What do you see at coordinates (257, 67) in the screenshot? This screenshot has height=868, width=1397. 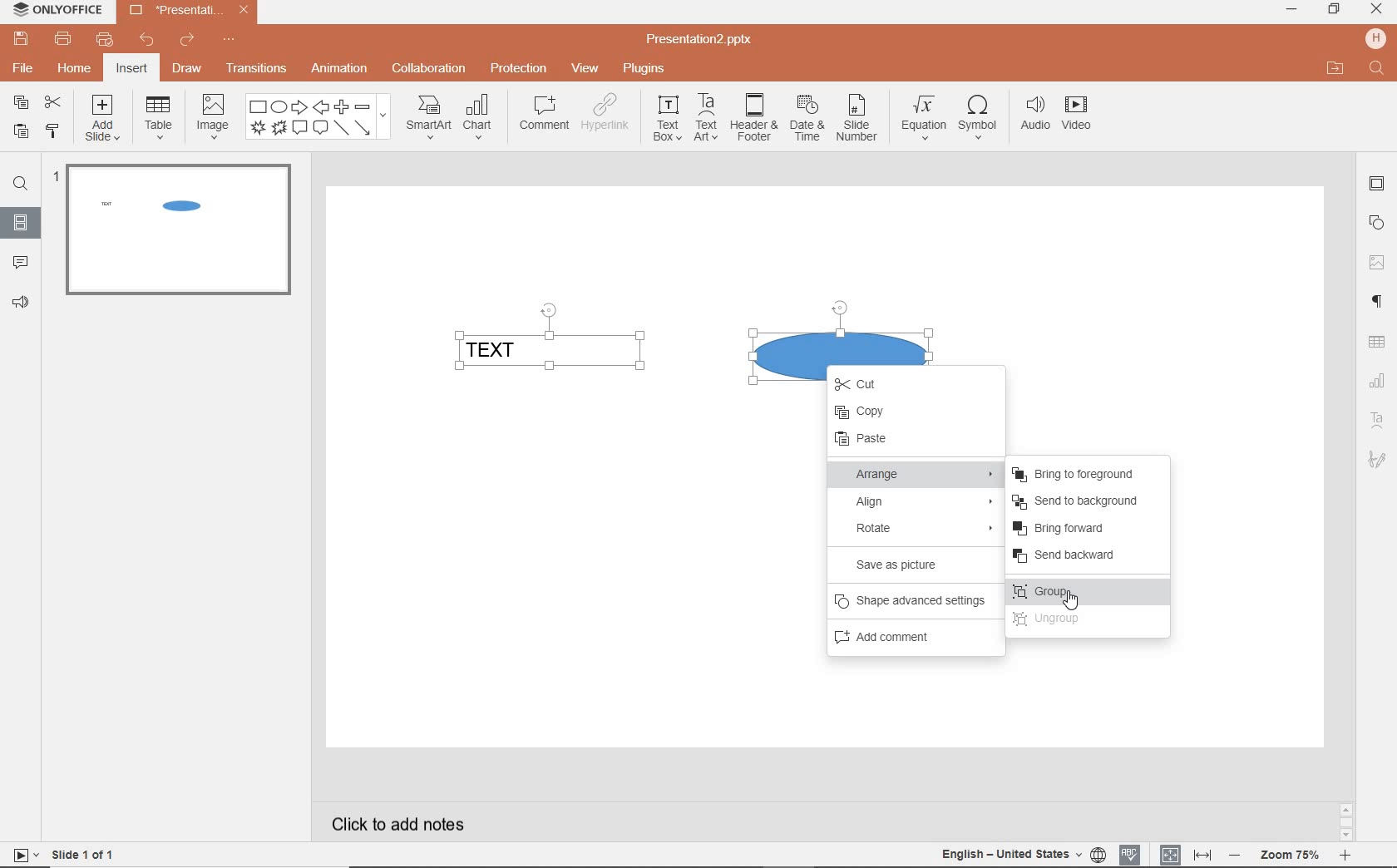 I see `transitions` at bounding box center [257, 67].